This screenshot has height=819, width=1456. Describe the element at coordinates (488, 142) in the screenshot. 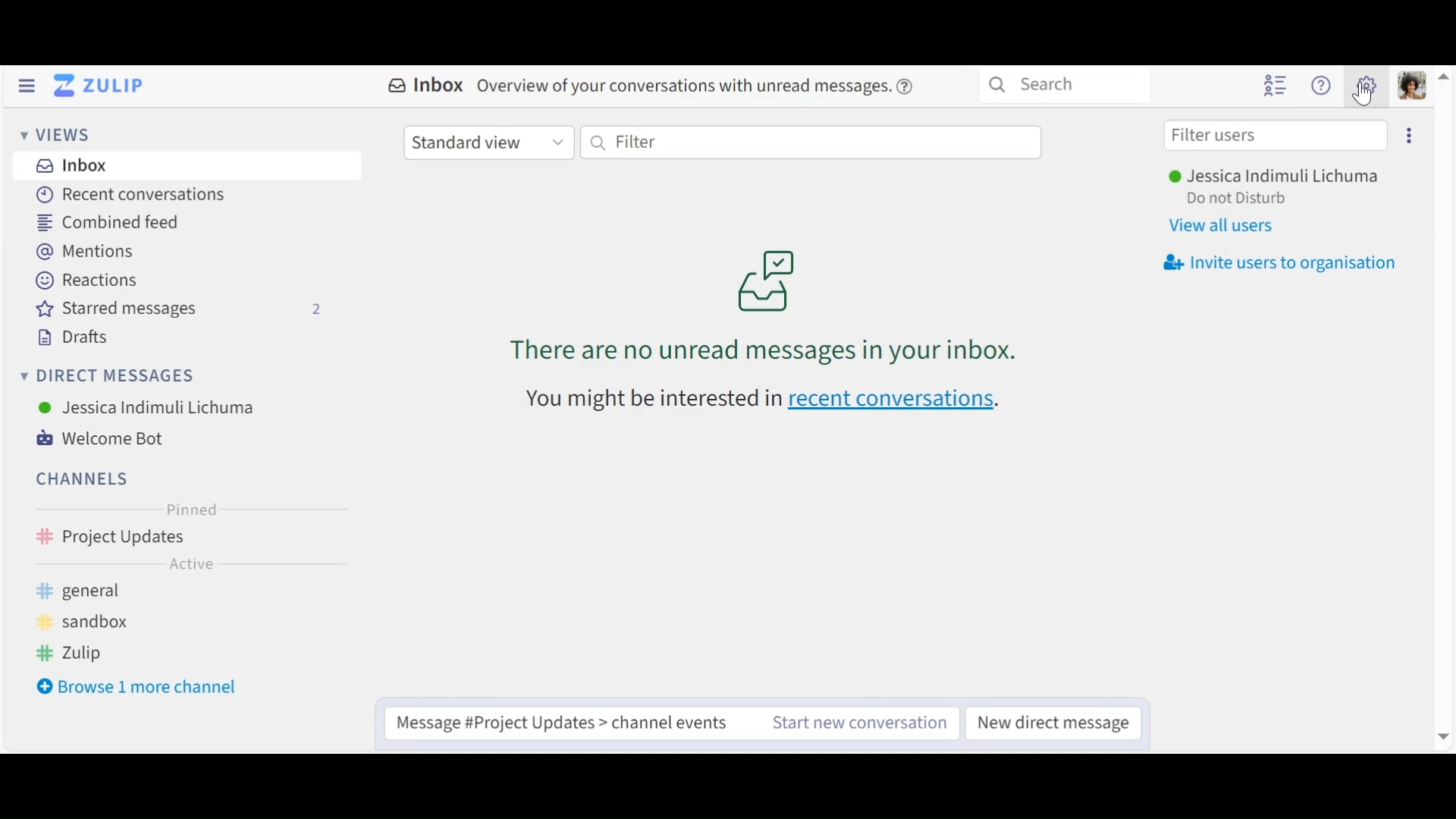

I see `Standard View` at that location.